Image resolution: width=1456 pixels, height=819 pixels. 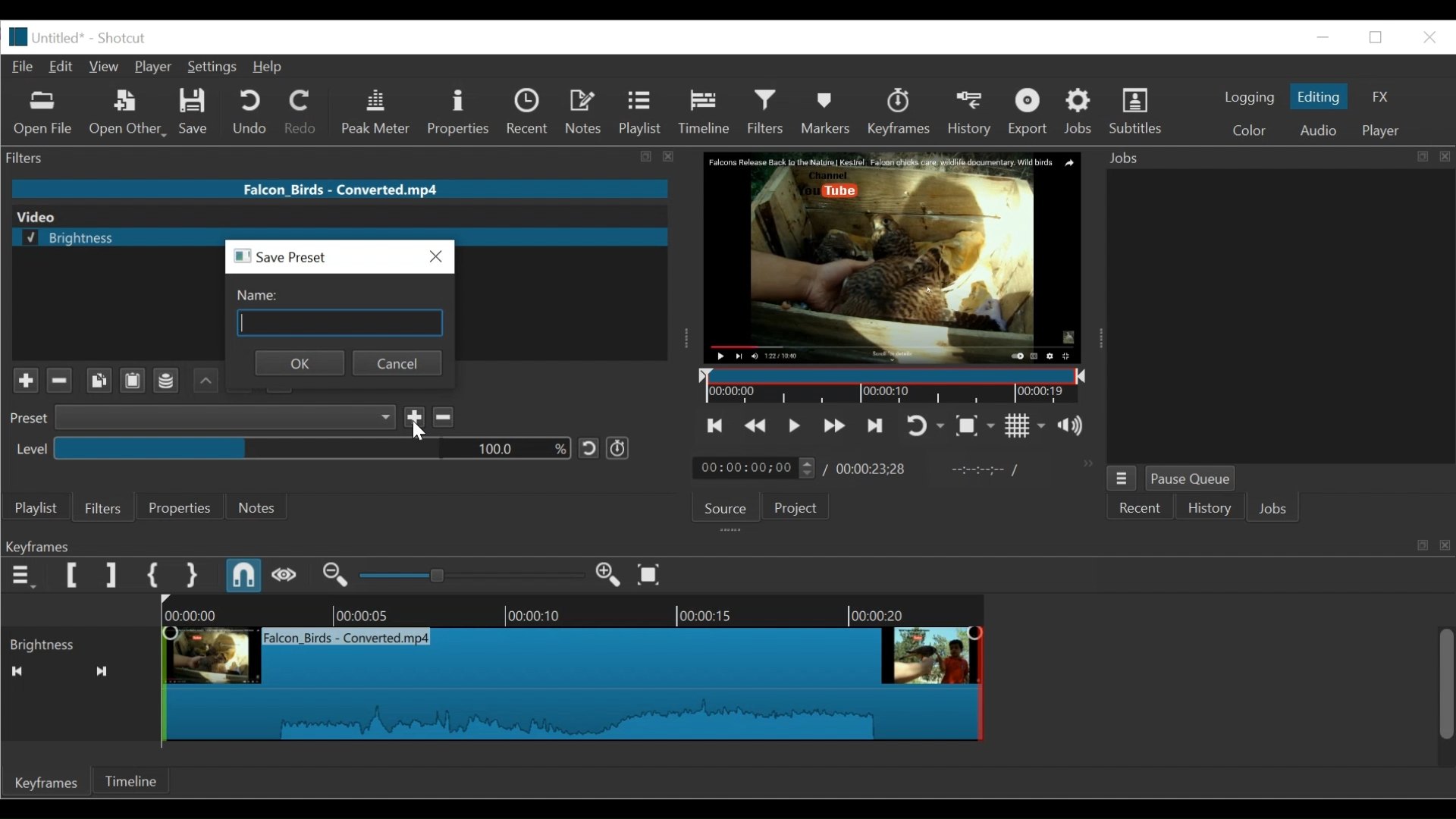 I want to click on File, so click(x=22, y=67).